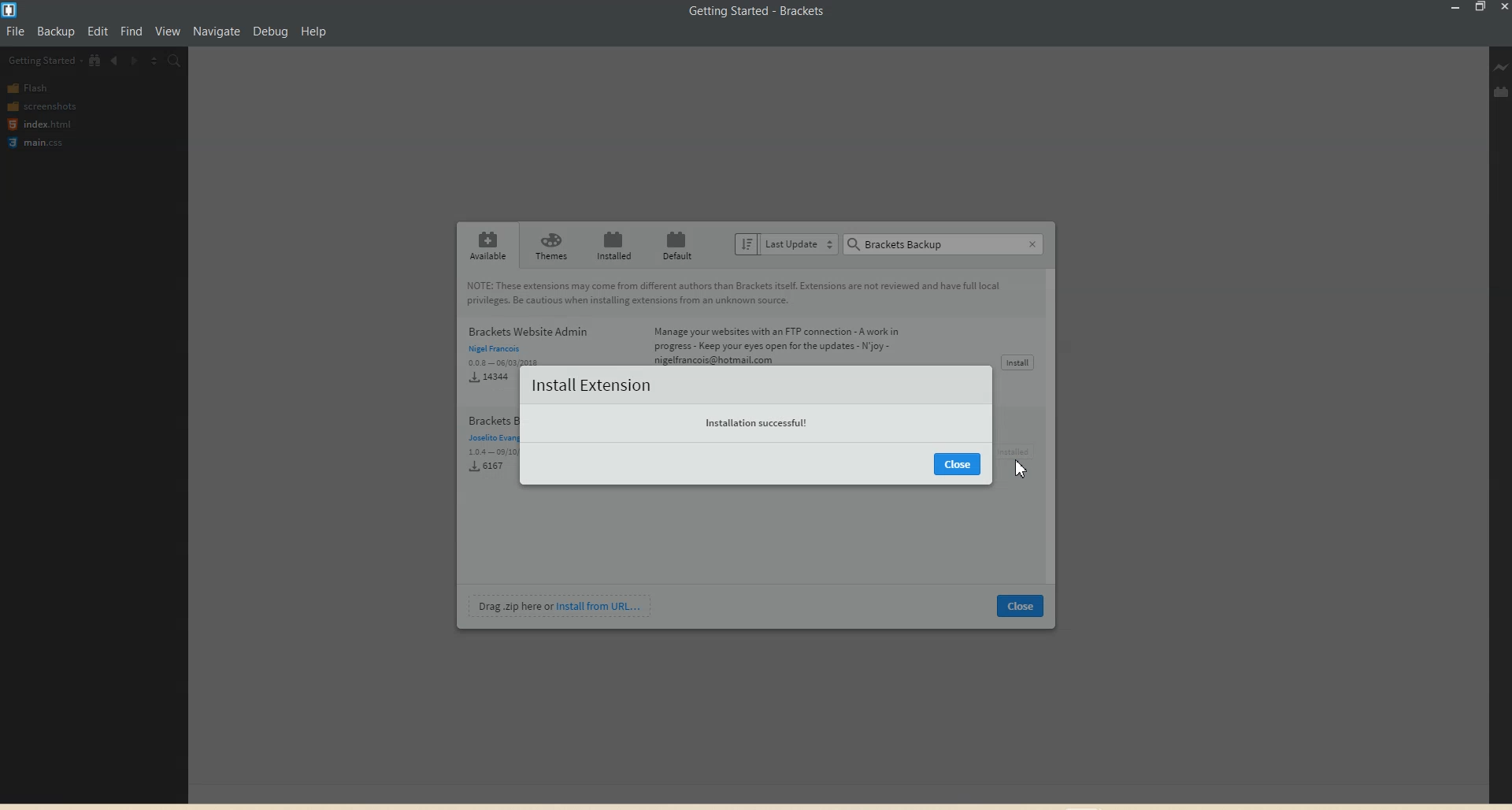 The width and height of the screenshot is (1512, 810). What do you see at coordinates (45, 61) in the screenshot?
I see `Getting Started` at bounding box center [45, 61].